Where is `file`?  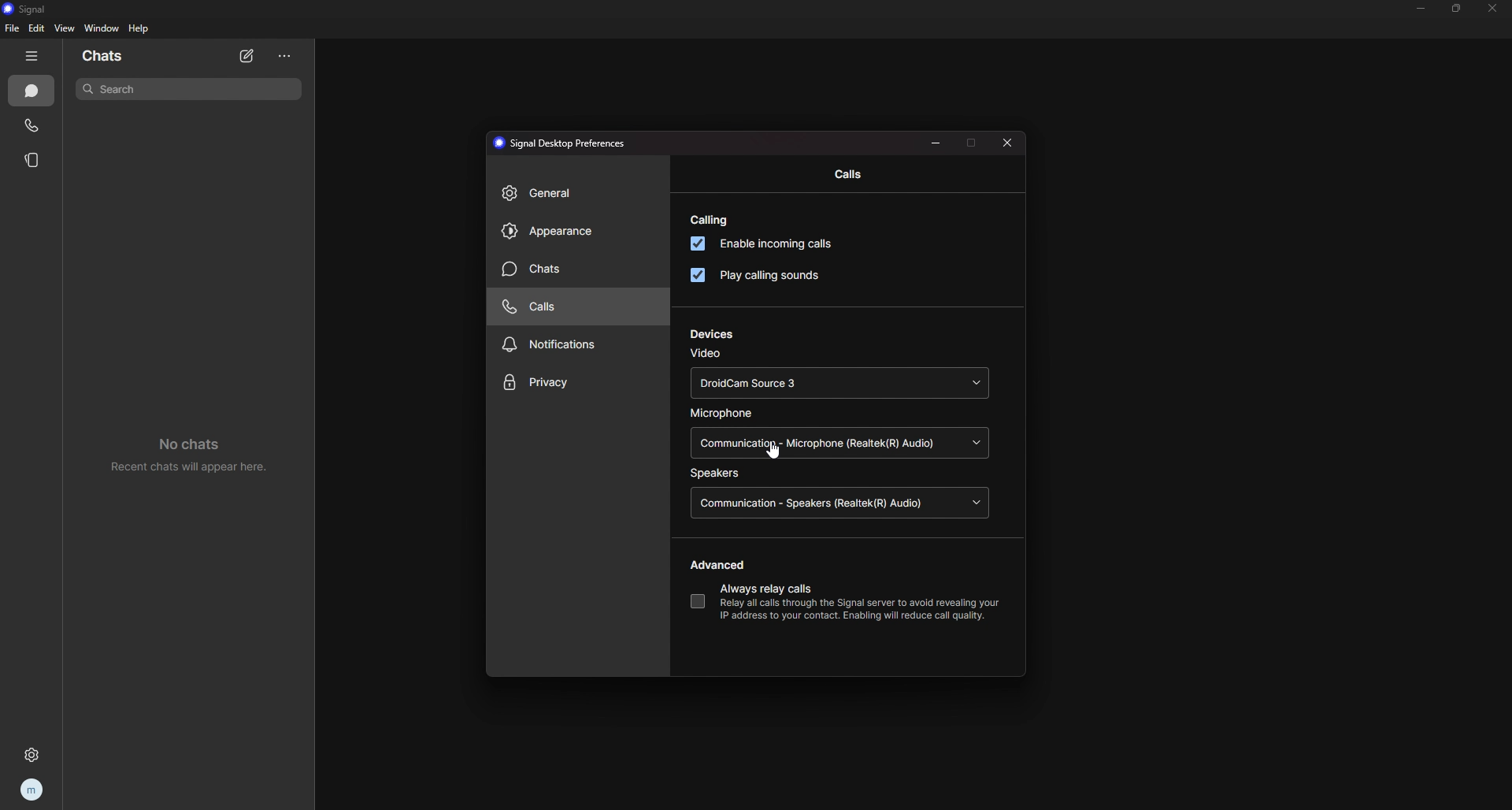 file is located at coordinates (12, 29).